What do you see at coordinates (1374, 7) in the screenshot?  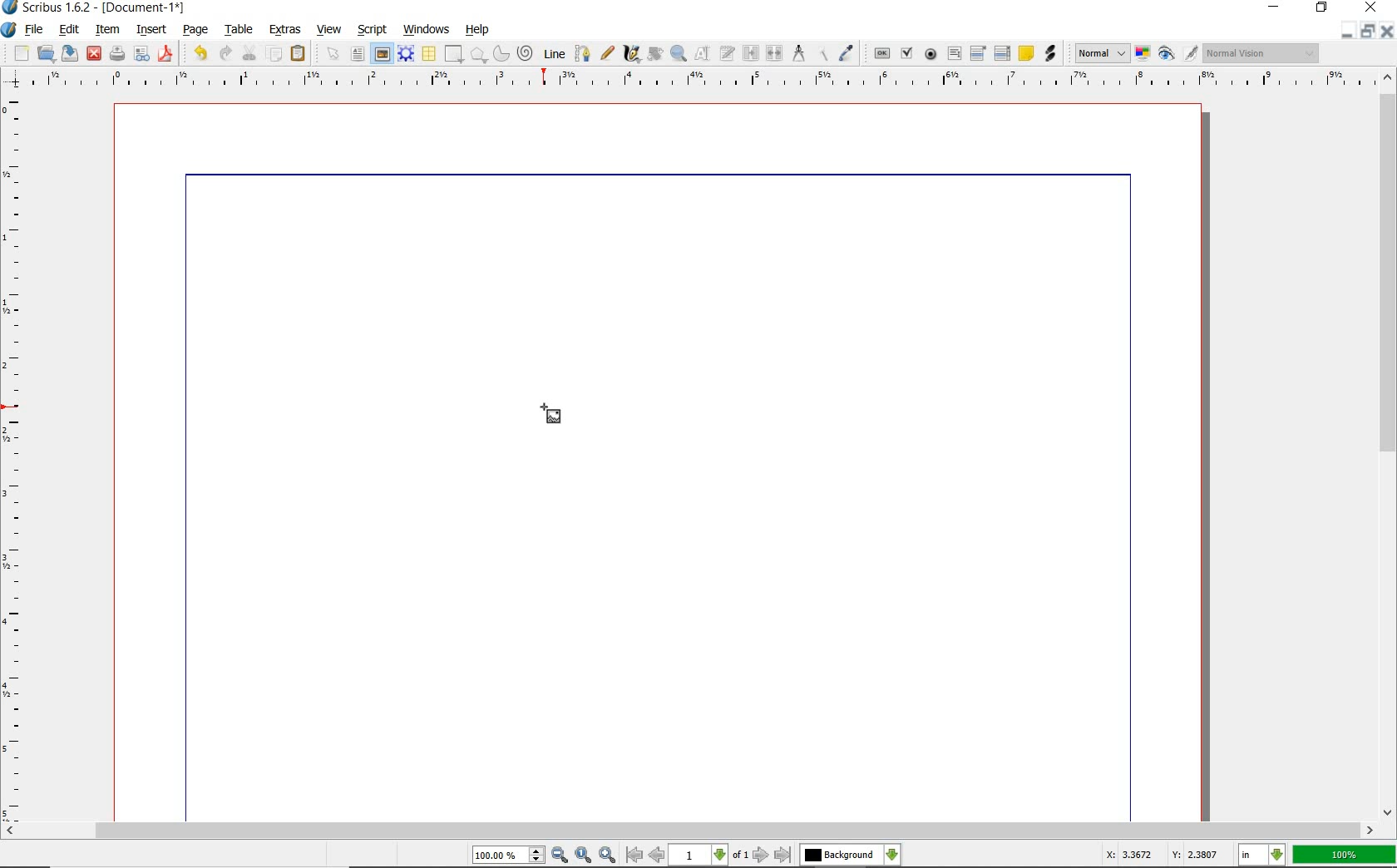 I see `close` at bounding box center [1374, 7].